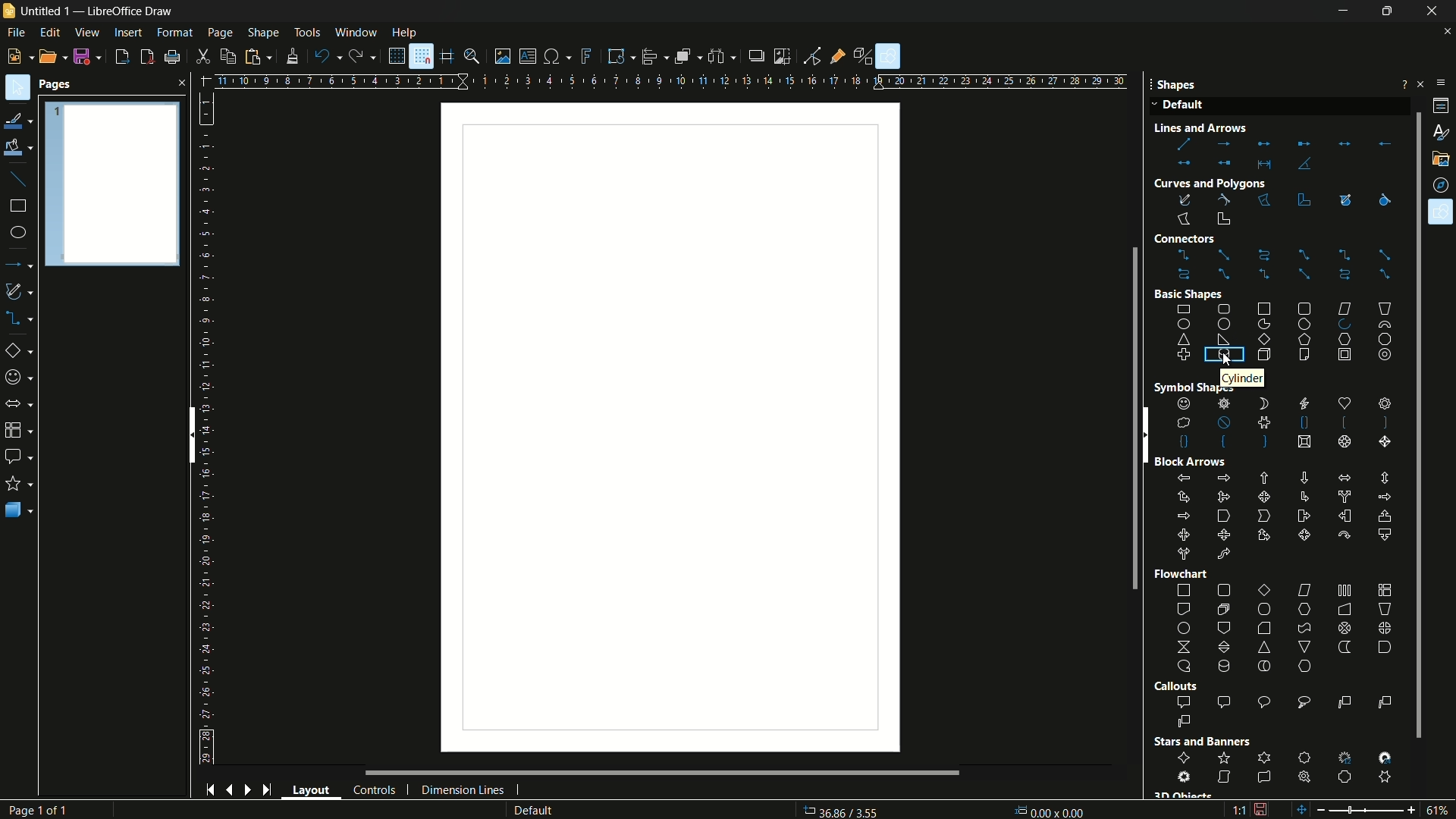 This screenshot has width=1456, height=819. Describe the element at coordinates (723, 57) in the screenshot. I see `select at least three objects to distribute` at that location.